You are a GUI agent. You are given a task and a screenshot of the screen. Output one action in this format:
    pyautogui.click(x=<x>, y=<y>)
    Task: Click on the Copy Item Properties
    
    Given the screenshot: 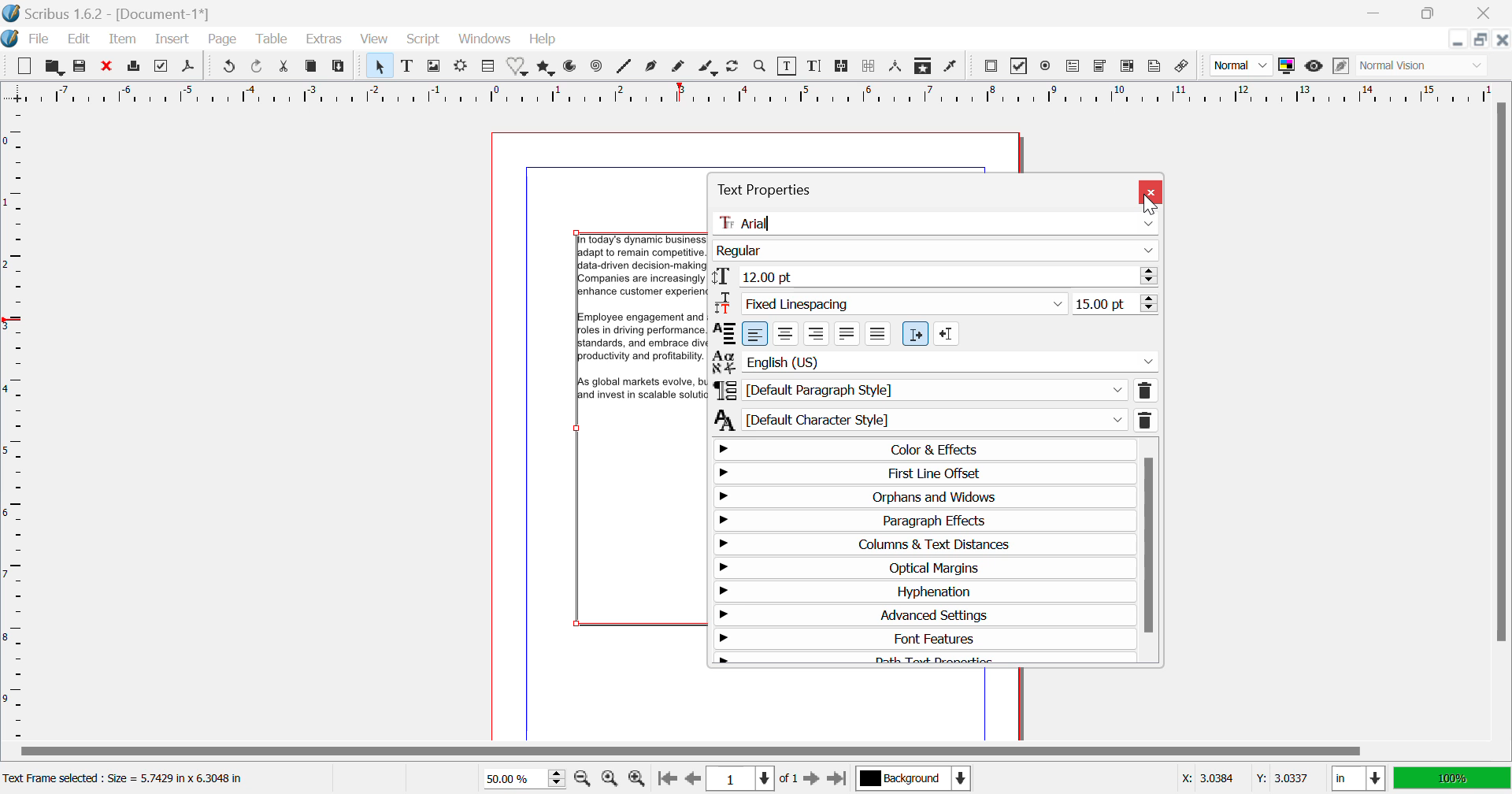 What is the action you would take?
    pyautogui.click(x=923, y=65)
    